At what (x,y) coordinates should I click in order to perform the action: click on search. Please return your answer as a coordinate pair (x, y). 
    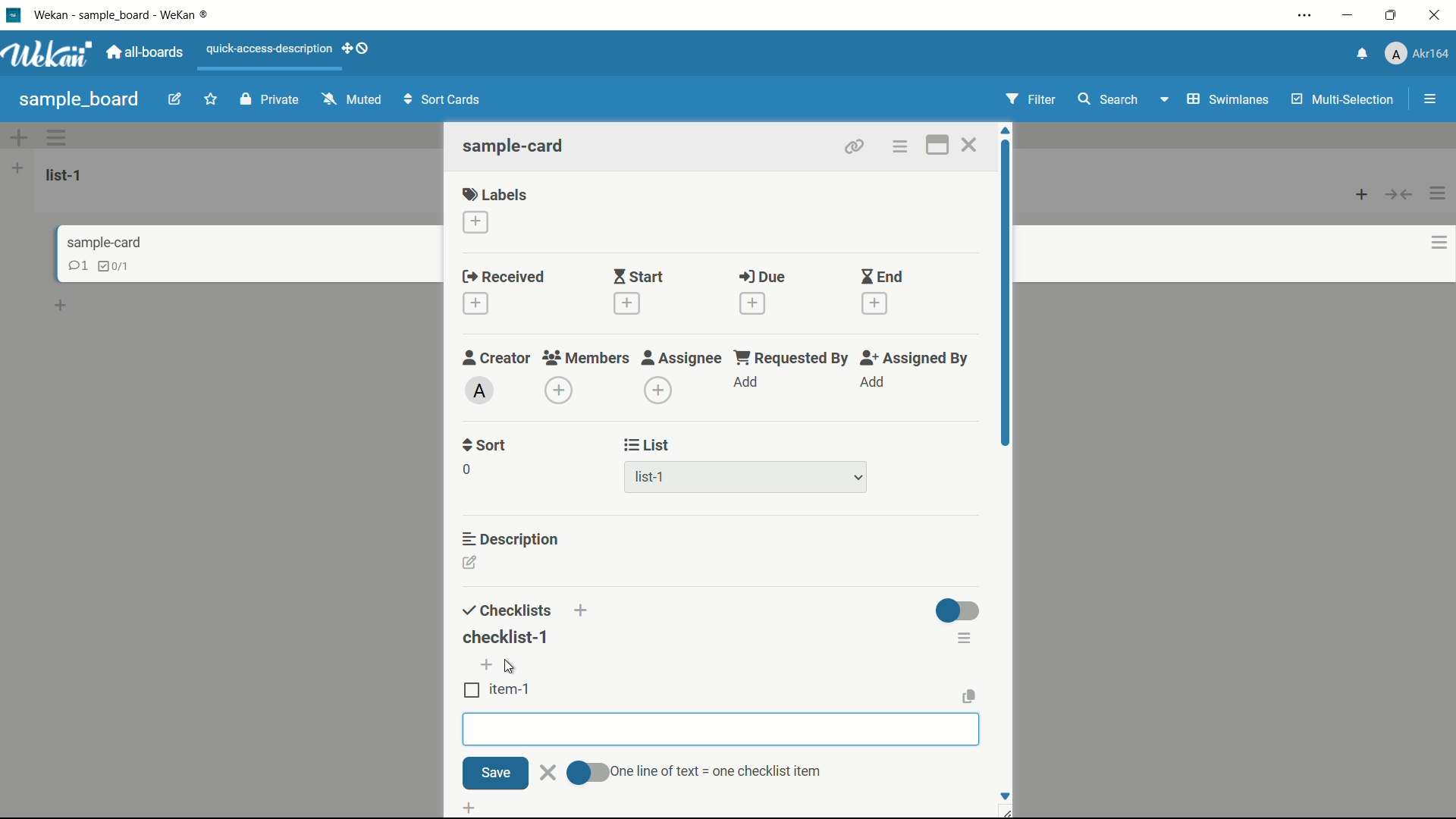
    Looking at the image, I should click on (1109, 98).